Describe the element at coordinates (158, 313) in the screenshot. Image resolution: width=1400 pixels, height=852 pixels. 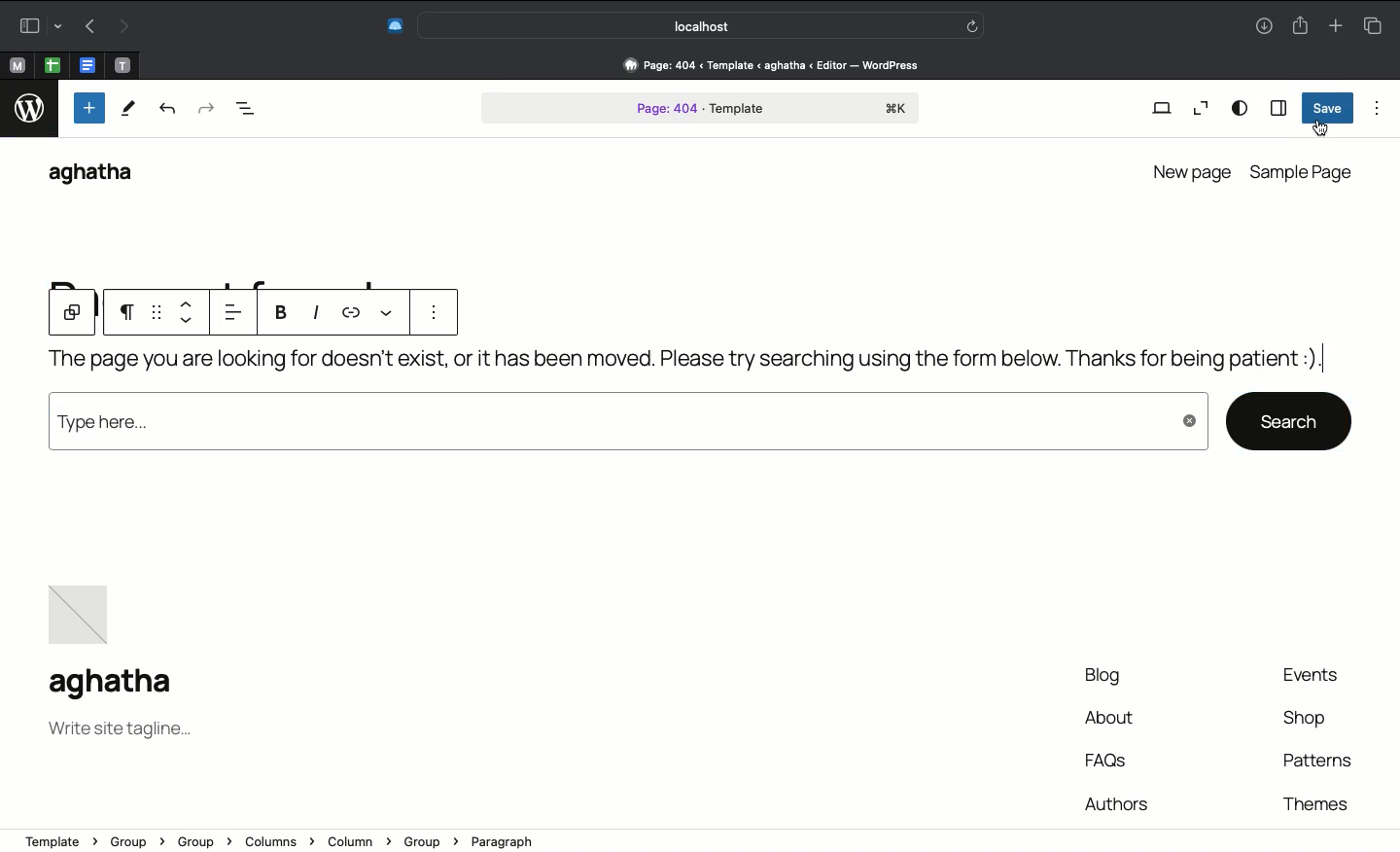
I see `grid` at that location.